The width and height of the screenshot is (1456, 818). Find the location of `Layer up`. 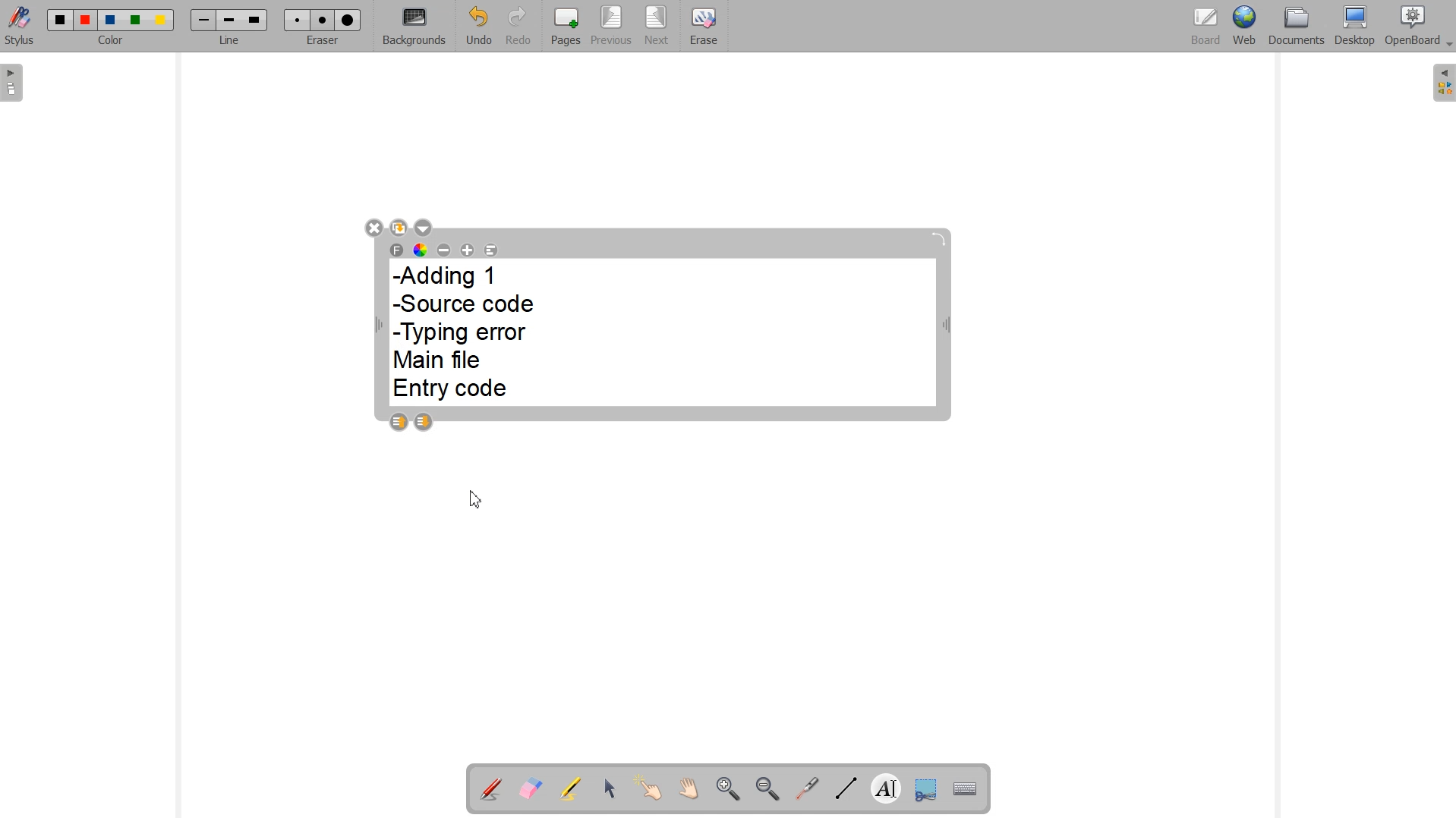

Layer up is located at coordinates (398, 422).